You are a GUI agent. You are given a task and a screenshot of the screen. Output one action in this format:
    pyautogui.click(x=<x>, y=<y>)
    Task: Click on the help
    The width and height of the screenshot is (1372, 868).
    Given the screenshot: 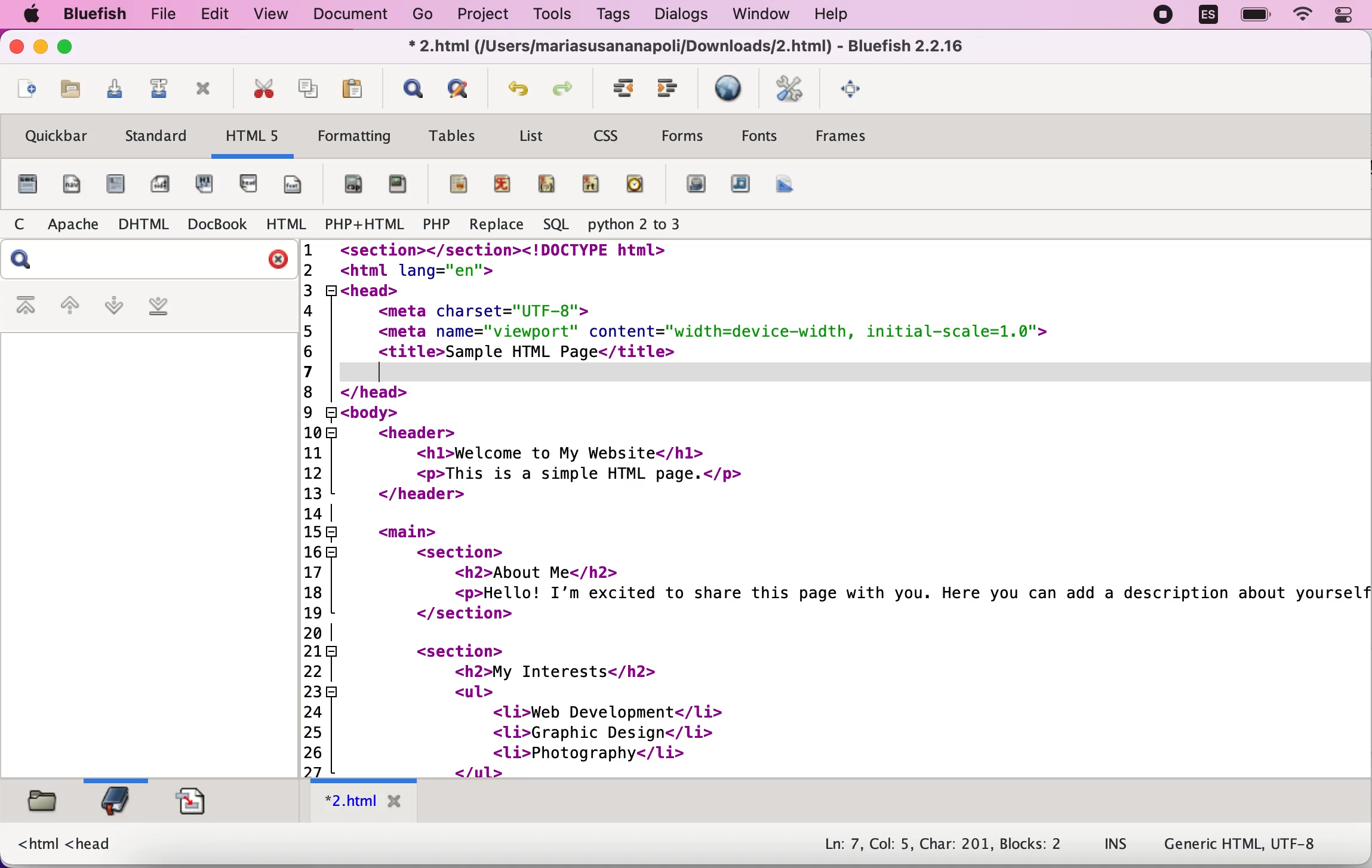 What is the action you would take?
    pyautogui.click(x=853, y=13)
    